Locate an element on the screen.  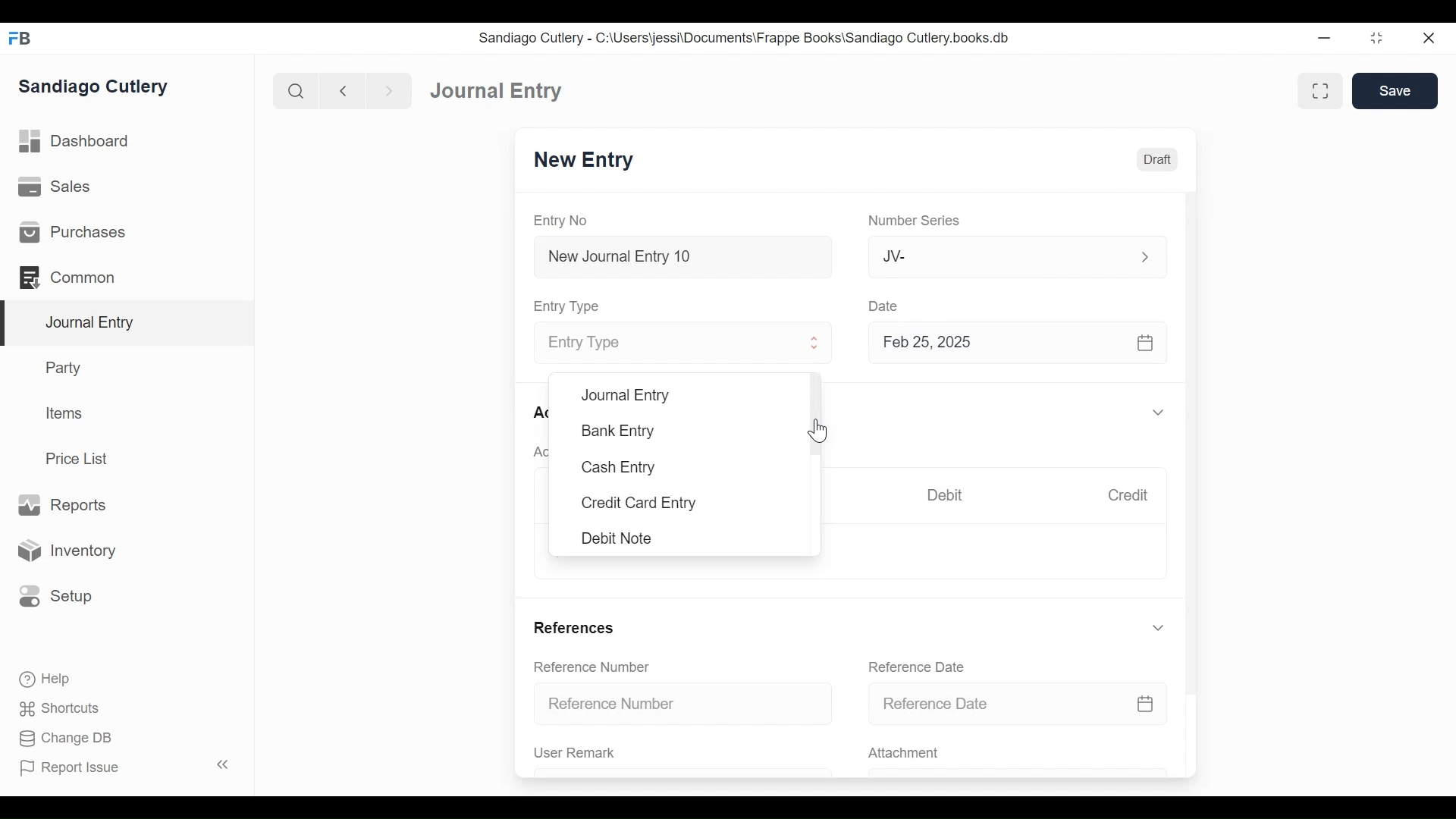
Expand is located at coordinates (1158, 413).